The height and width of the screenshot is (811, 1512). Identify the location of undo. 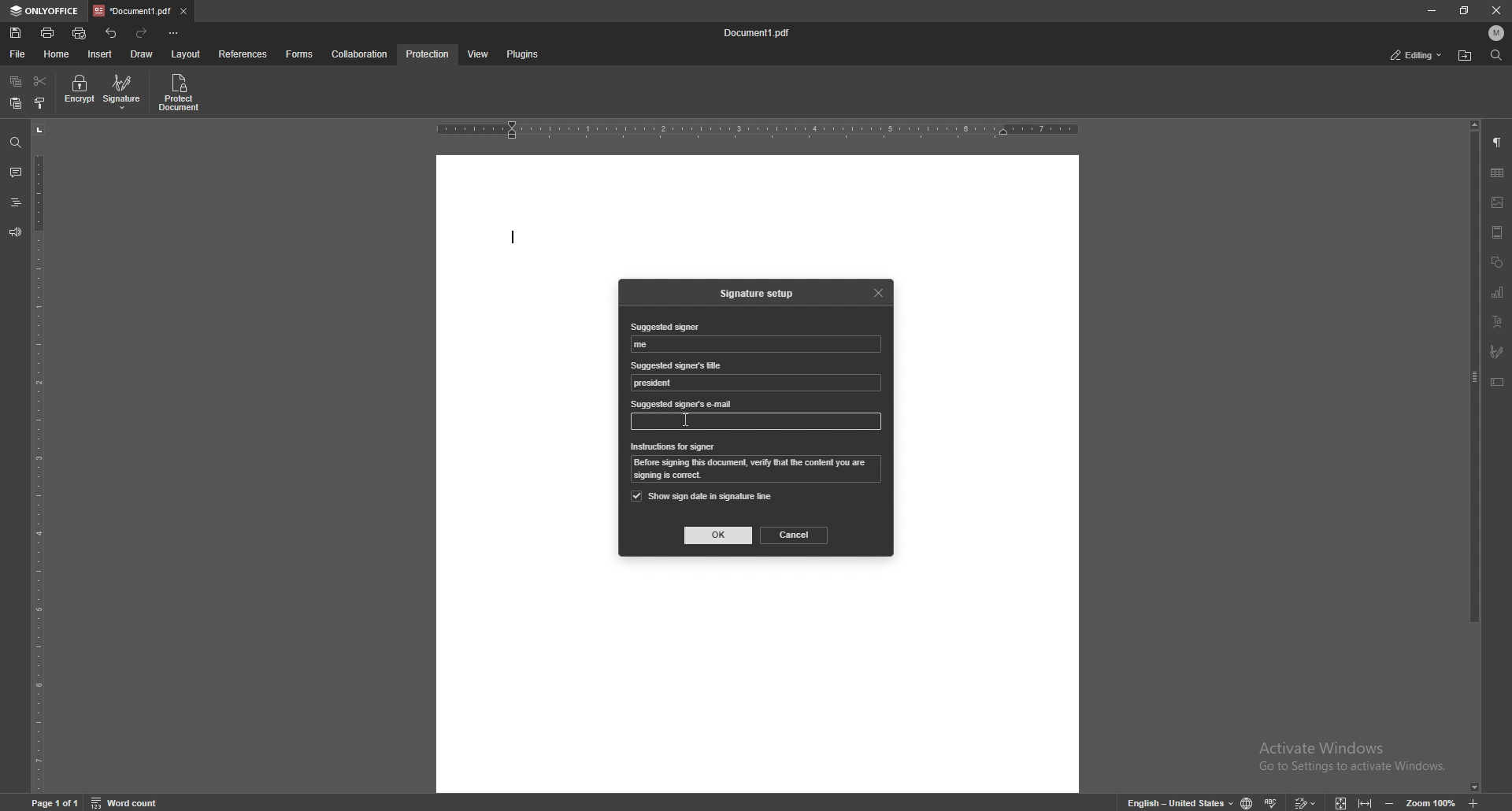
(113, 33).